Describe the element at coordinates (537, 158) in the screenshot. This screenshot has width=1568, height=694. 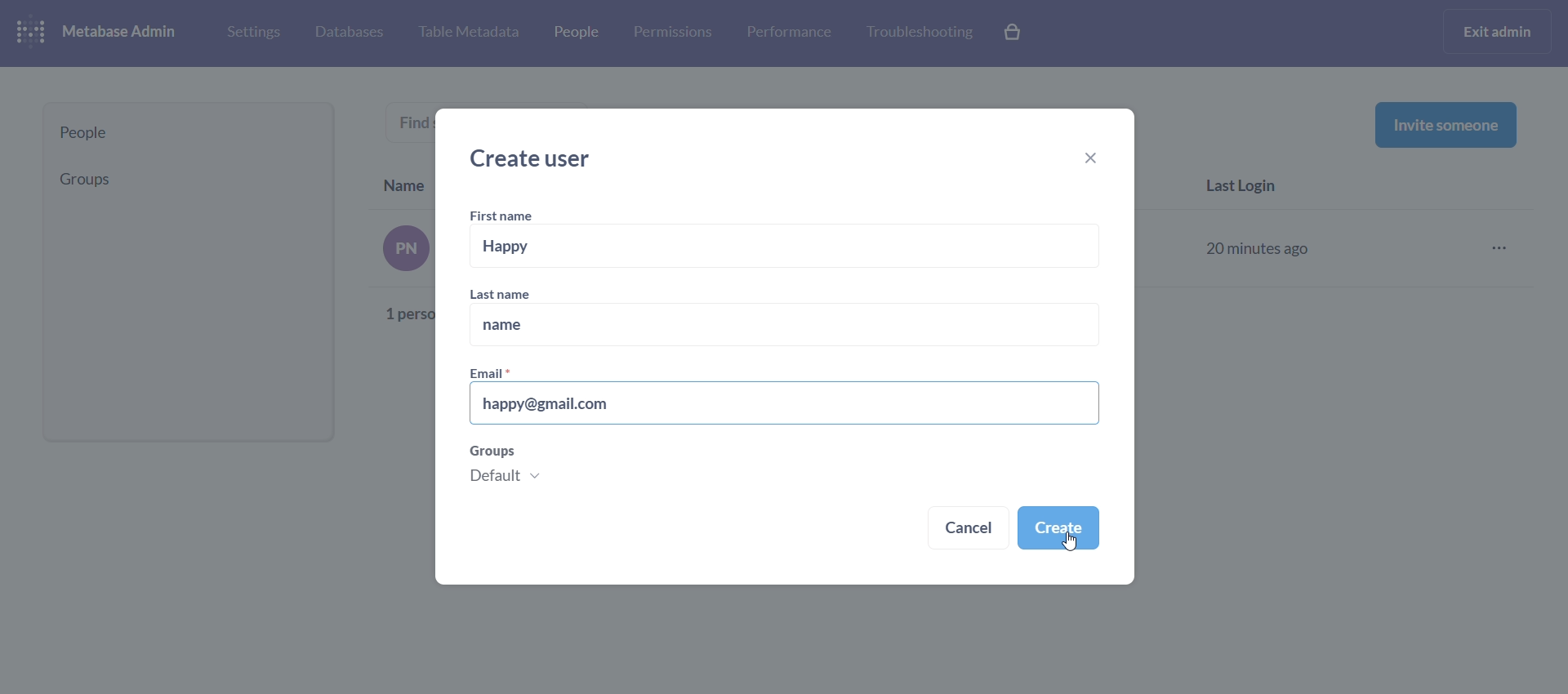
I see `create user` at that location.